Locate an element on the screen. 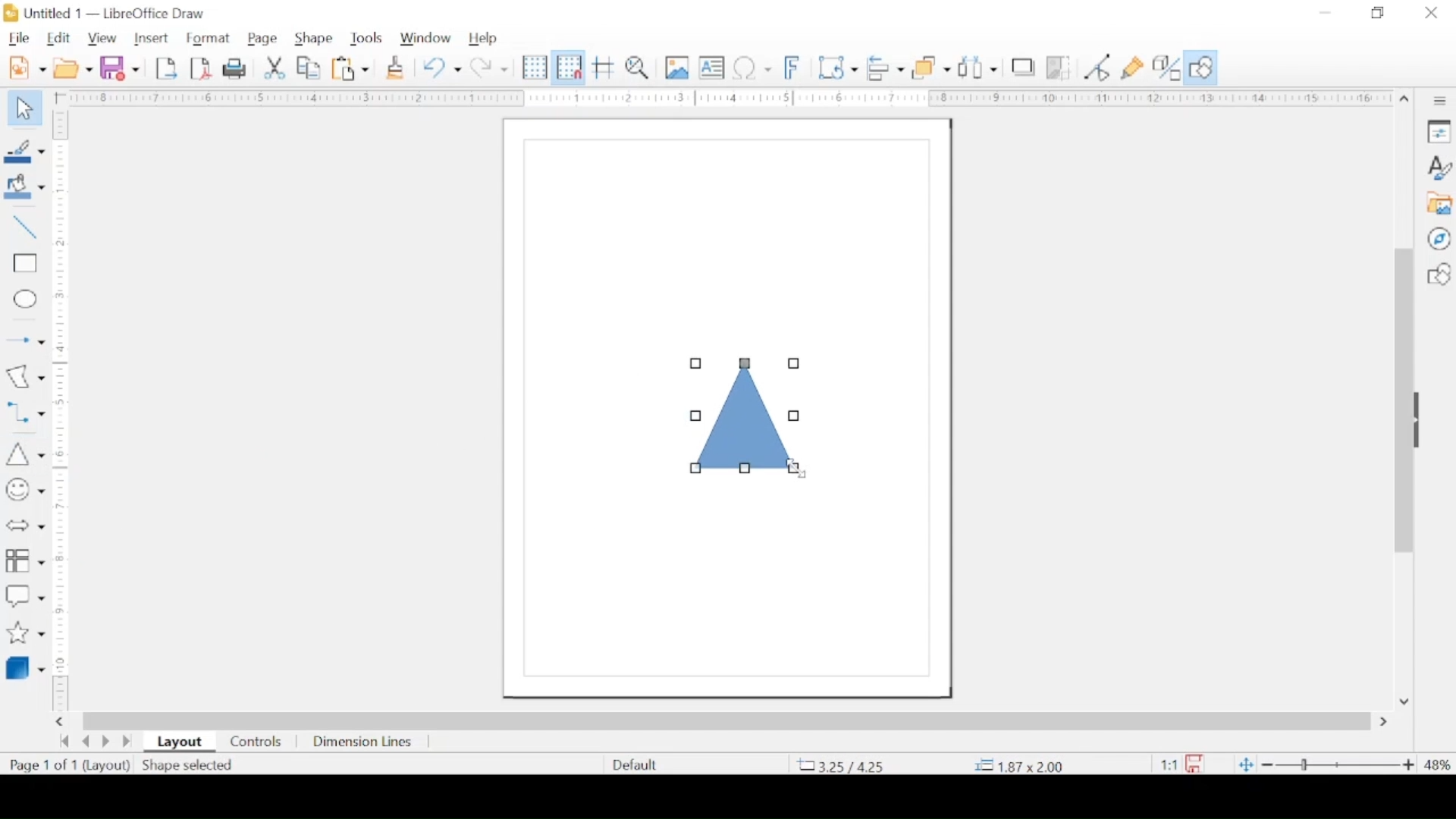 This screenshot has height=819, width=1456. scroll right arrow is located at coordinates (1386, 722).